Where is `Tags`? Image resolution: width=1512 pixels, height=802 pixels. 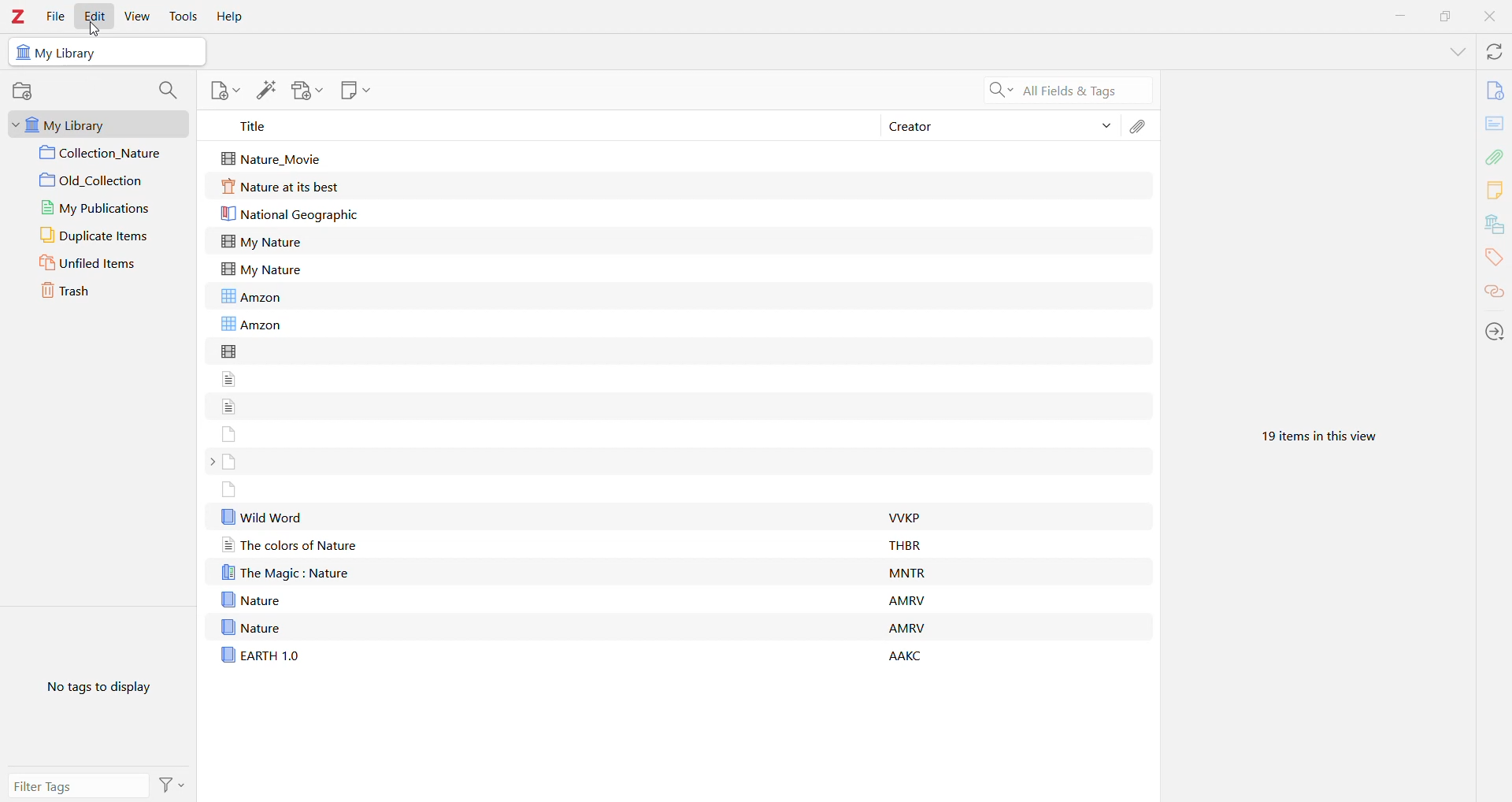 Tags is located at coordinates (1495, 260).